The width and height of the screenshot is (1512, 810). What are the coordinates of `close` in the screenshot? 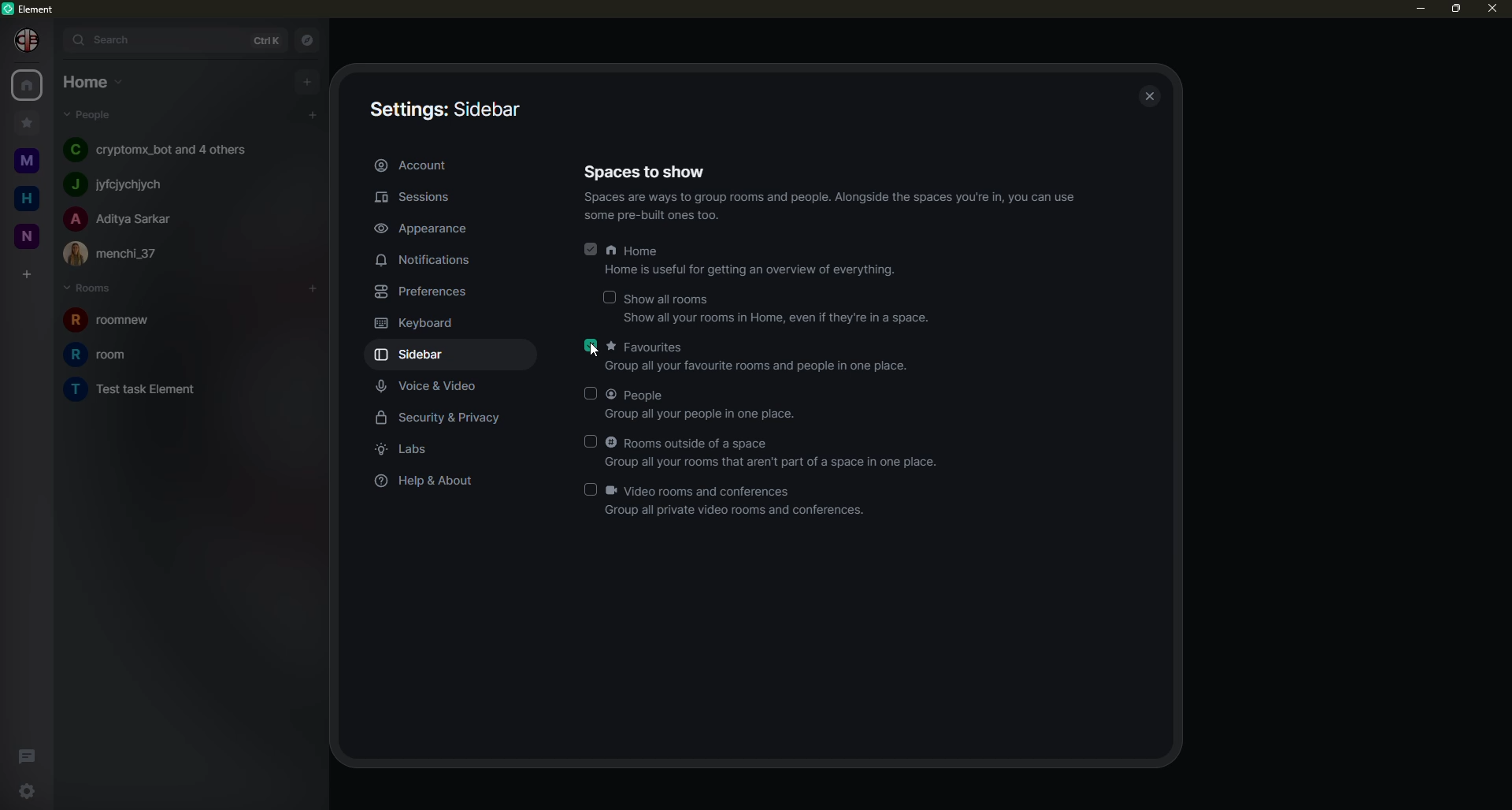 It's located at (1147, 95).